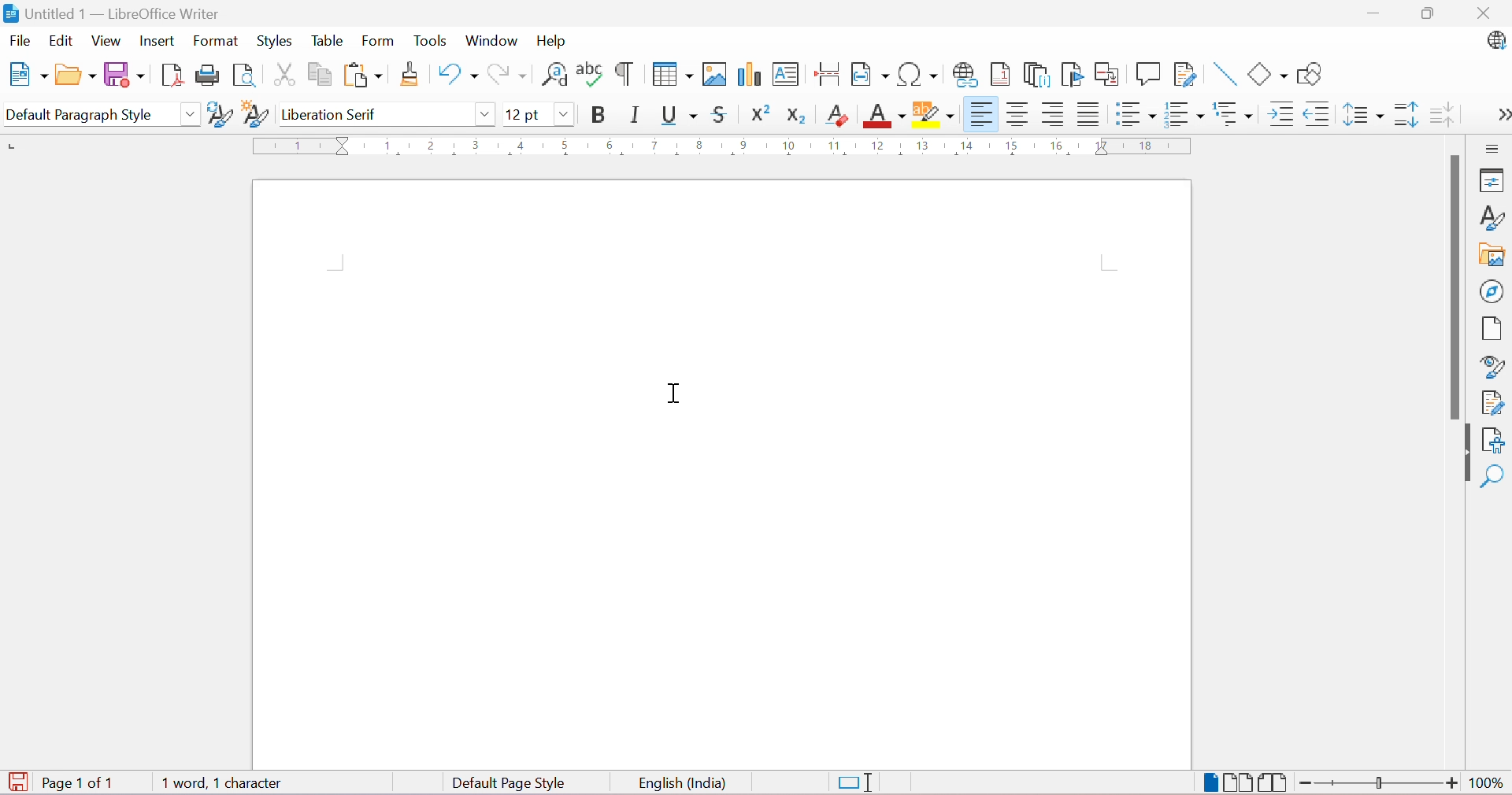  Describe the element at coordinates (785, 76) in the screenshot. I see `Insert Text Box` at that location.